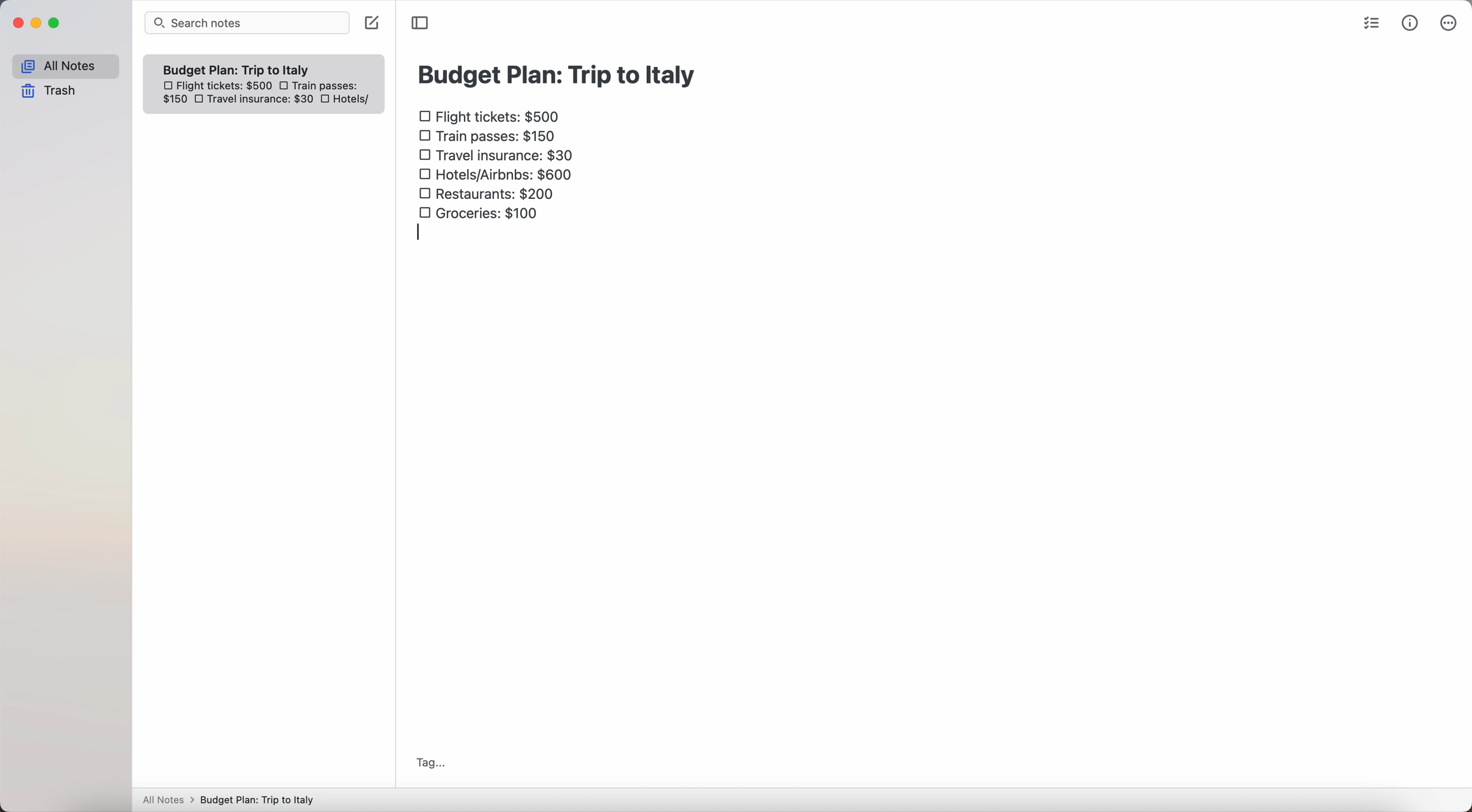 Image resolution: width=1472 pixels, height=812 pixels. Describe the element at coordinates (1375, 25) in the screenshot. I see `check list` at that location.